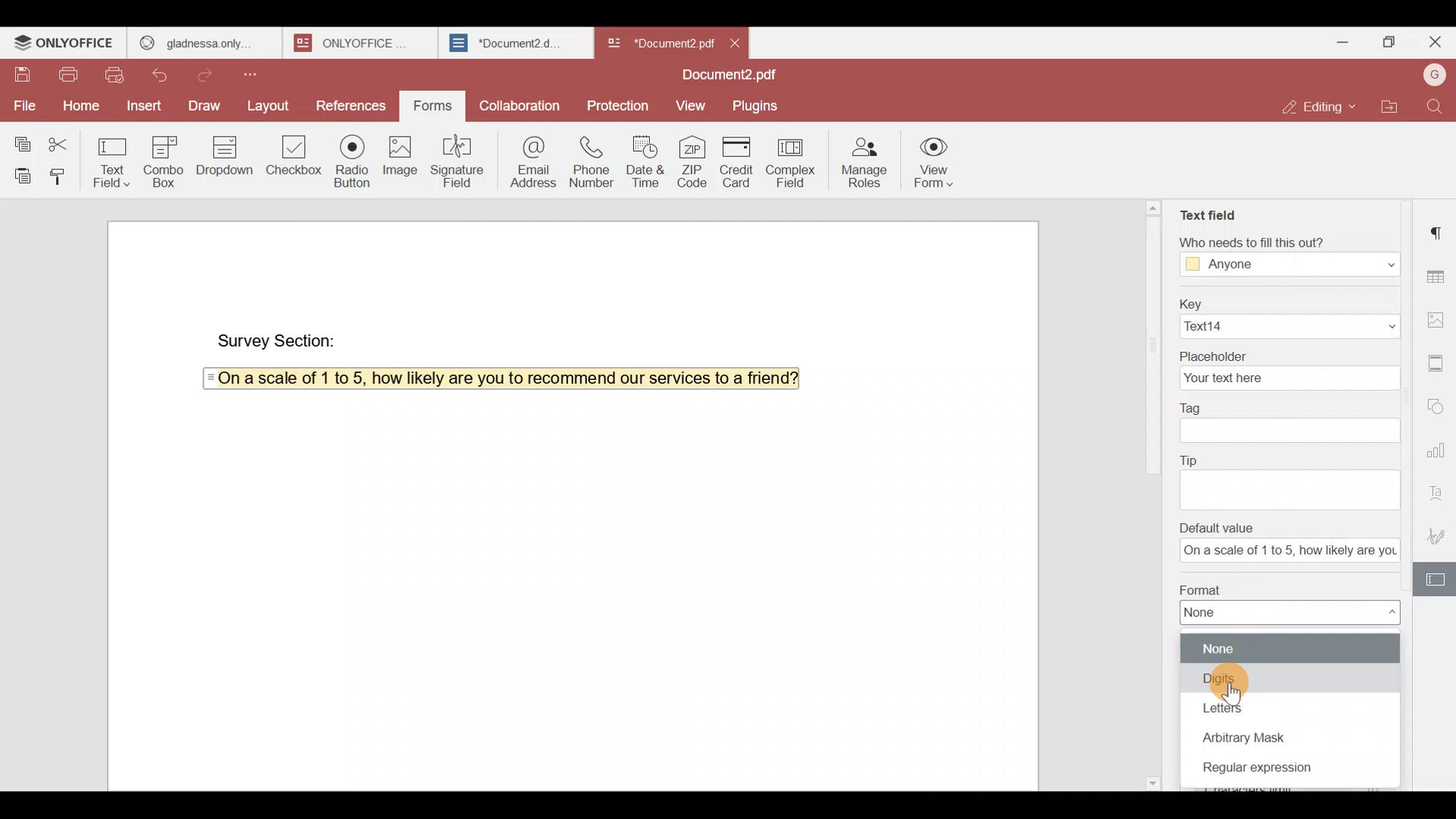 This screenshot has width=1456, height=819. I want to click on On a scale of 1 to 5, how likely are you to recommend our services to a friend?, so click(499, 378).